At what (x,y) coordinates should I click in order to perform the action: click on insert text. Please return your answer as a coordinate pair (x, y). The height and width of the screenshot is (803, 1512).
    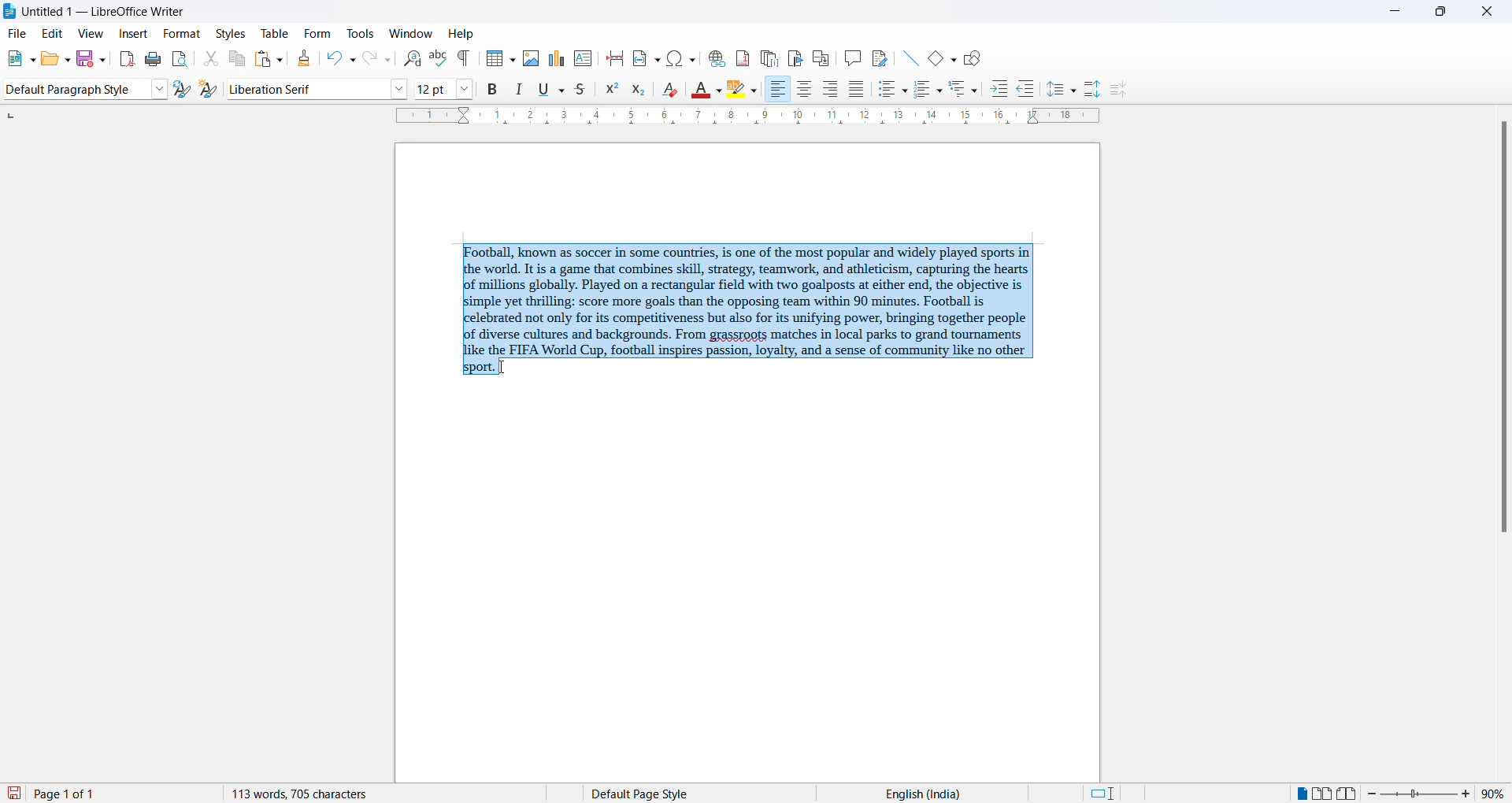
    Looking at the image, I should click on (584, 58).